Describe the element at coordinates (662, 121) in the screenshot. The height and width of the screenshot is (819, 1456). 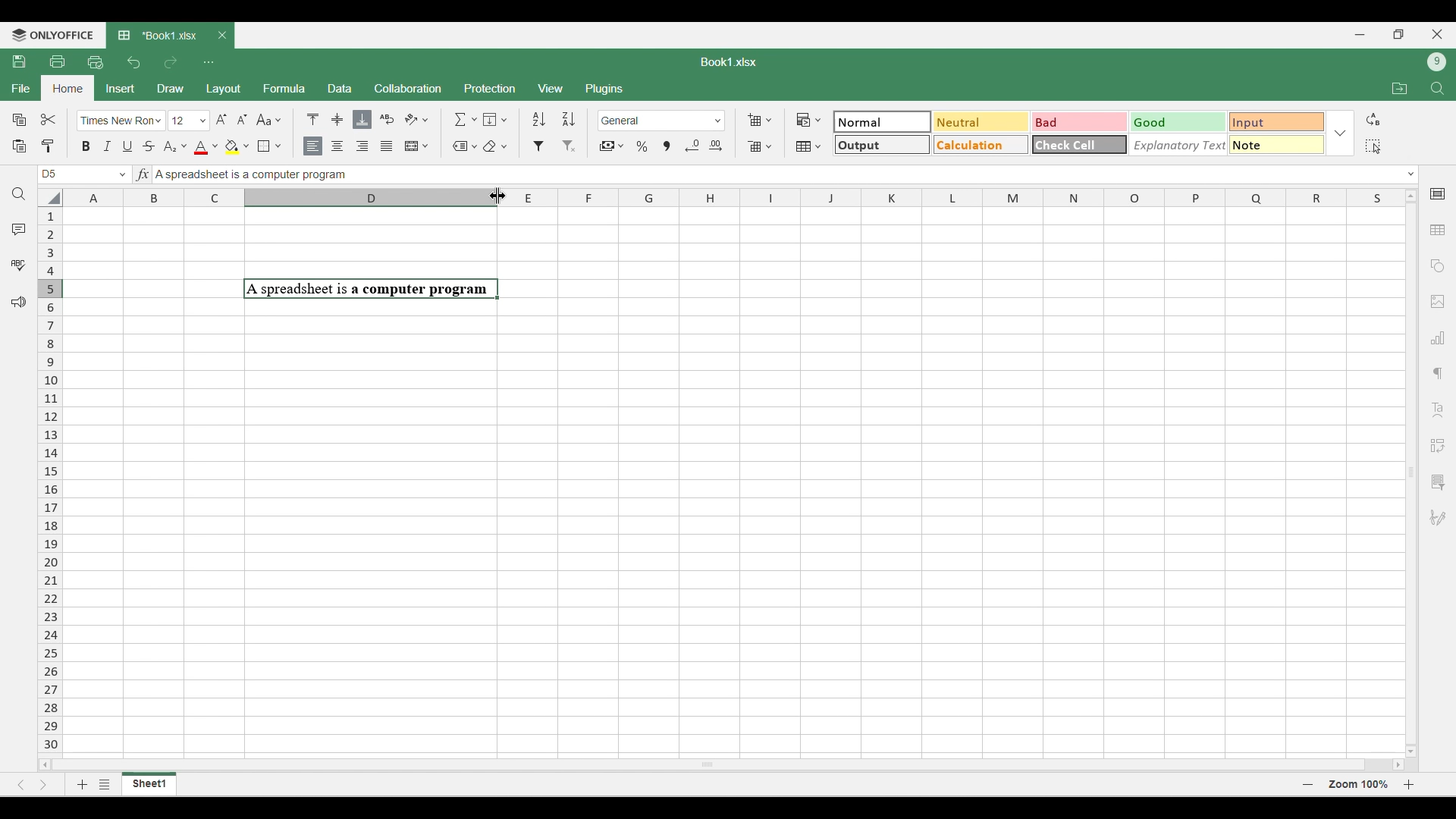
I see `Number format options` at that location.